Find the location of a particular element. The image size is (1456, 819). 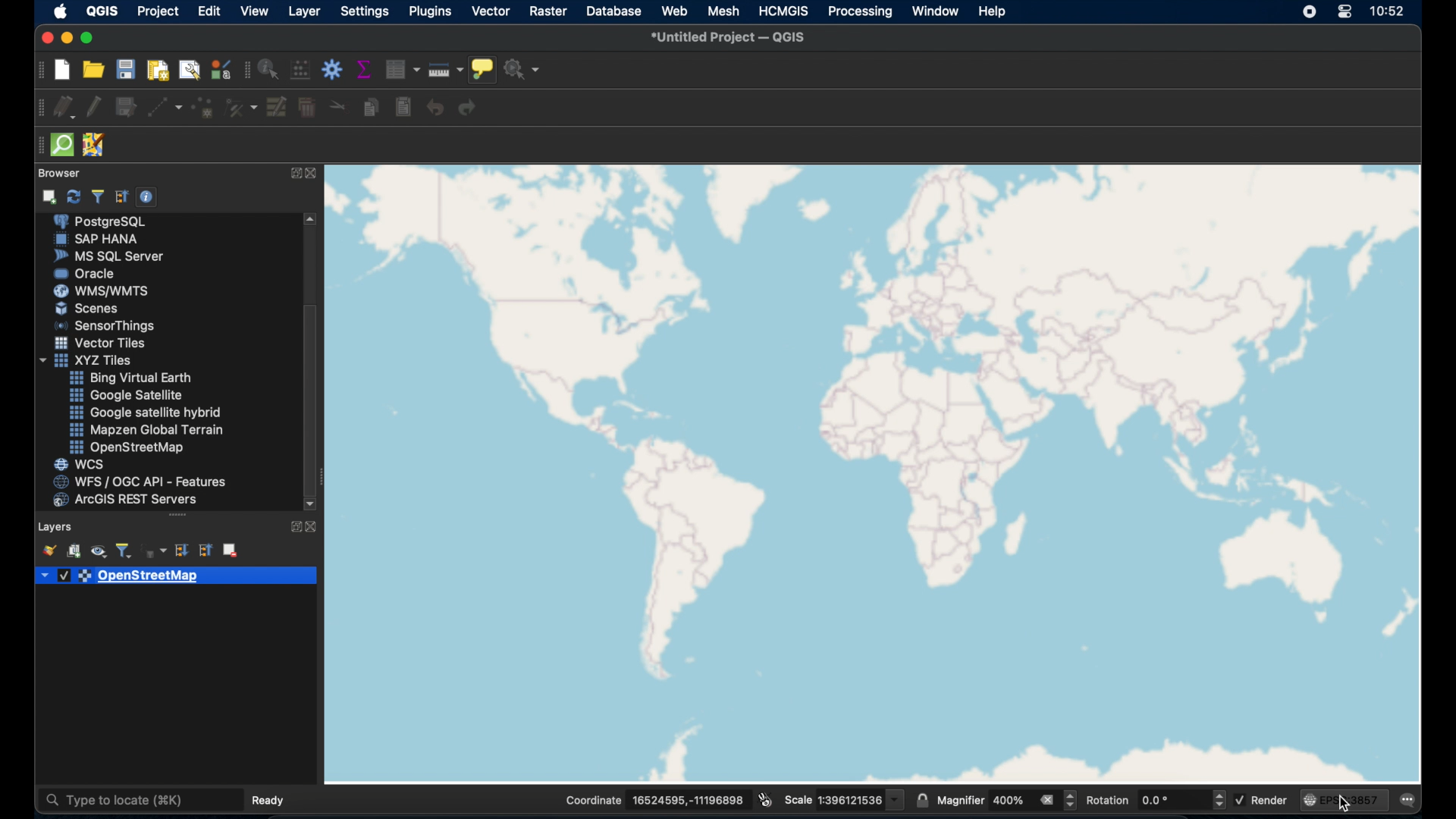

drag handle is located at coordinates (176, 516).